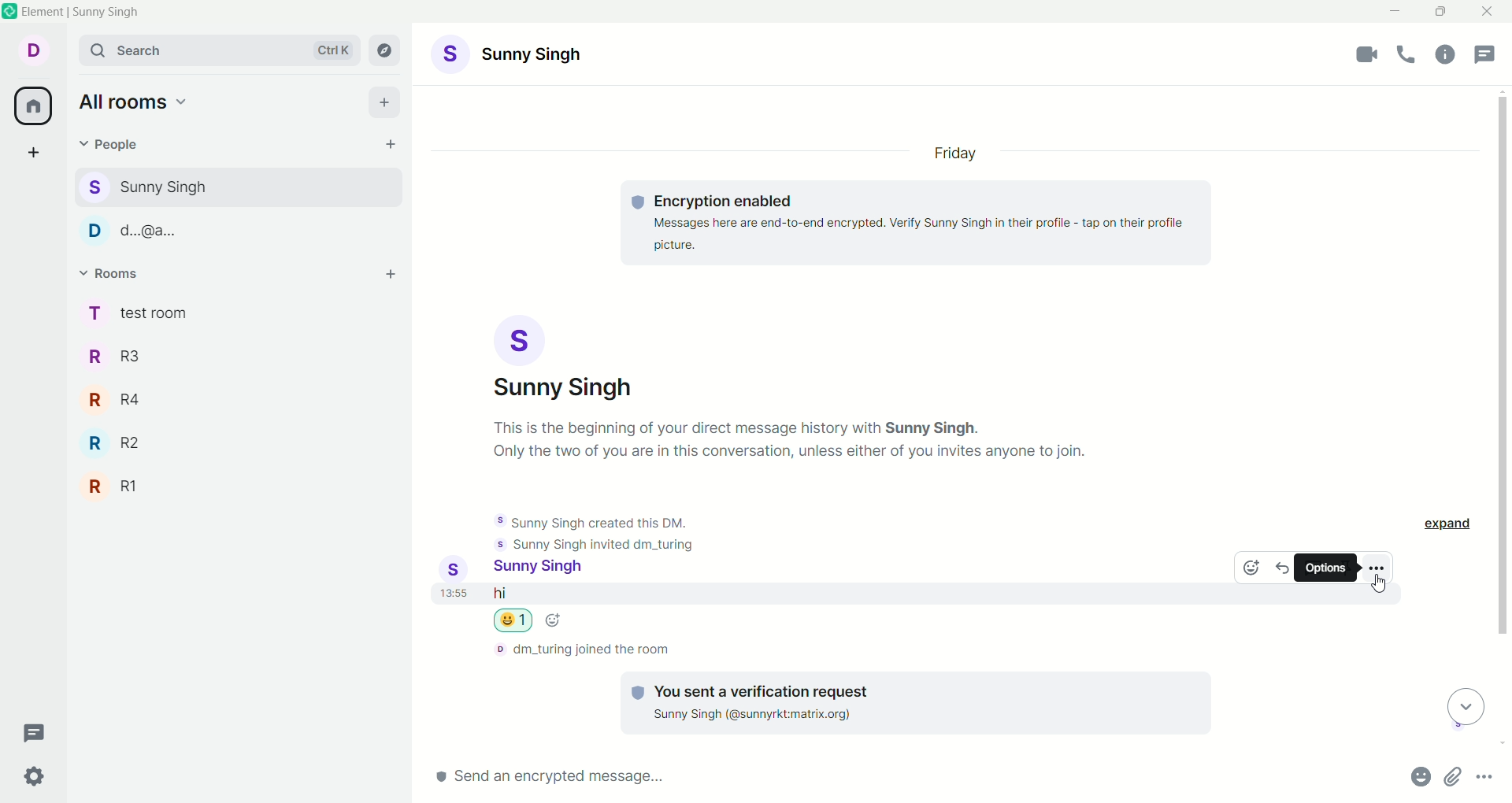  What do you see at coordinates (1489, 12) in the screenshot?
I see `close` at bounding box center [1489, 12].